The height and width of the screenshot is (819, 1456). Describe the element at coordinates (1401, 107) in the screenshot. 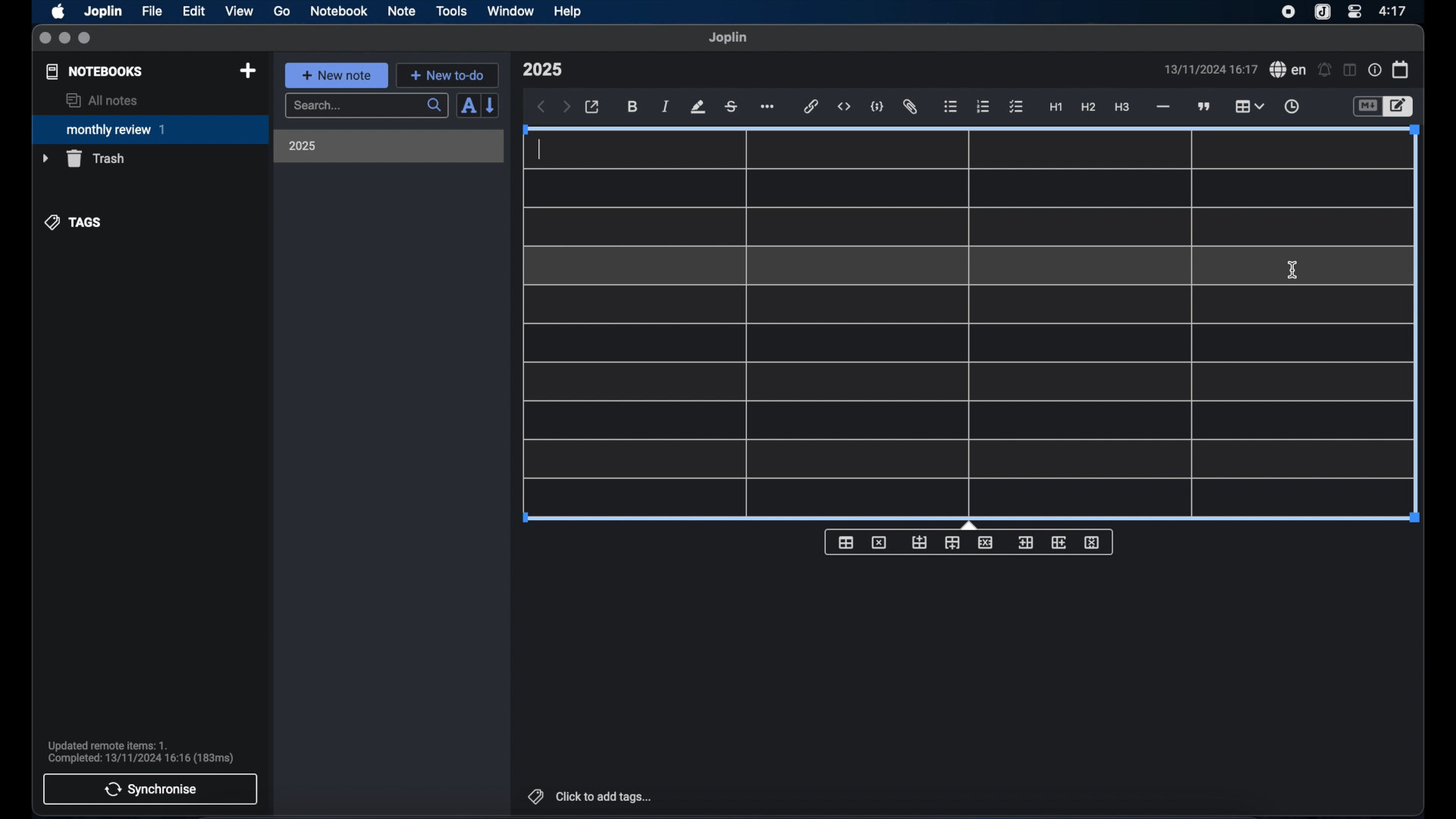

I see `toggle editor` at that location.